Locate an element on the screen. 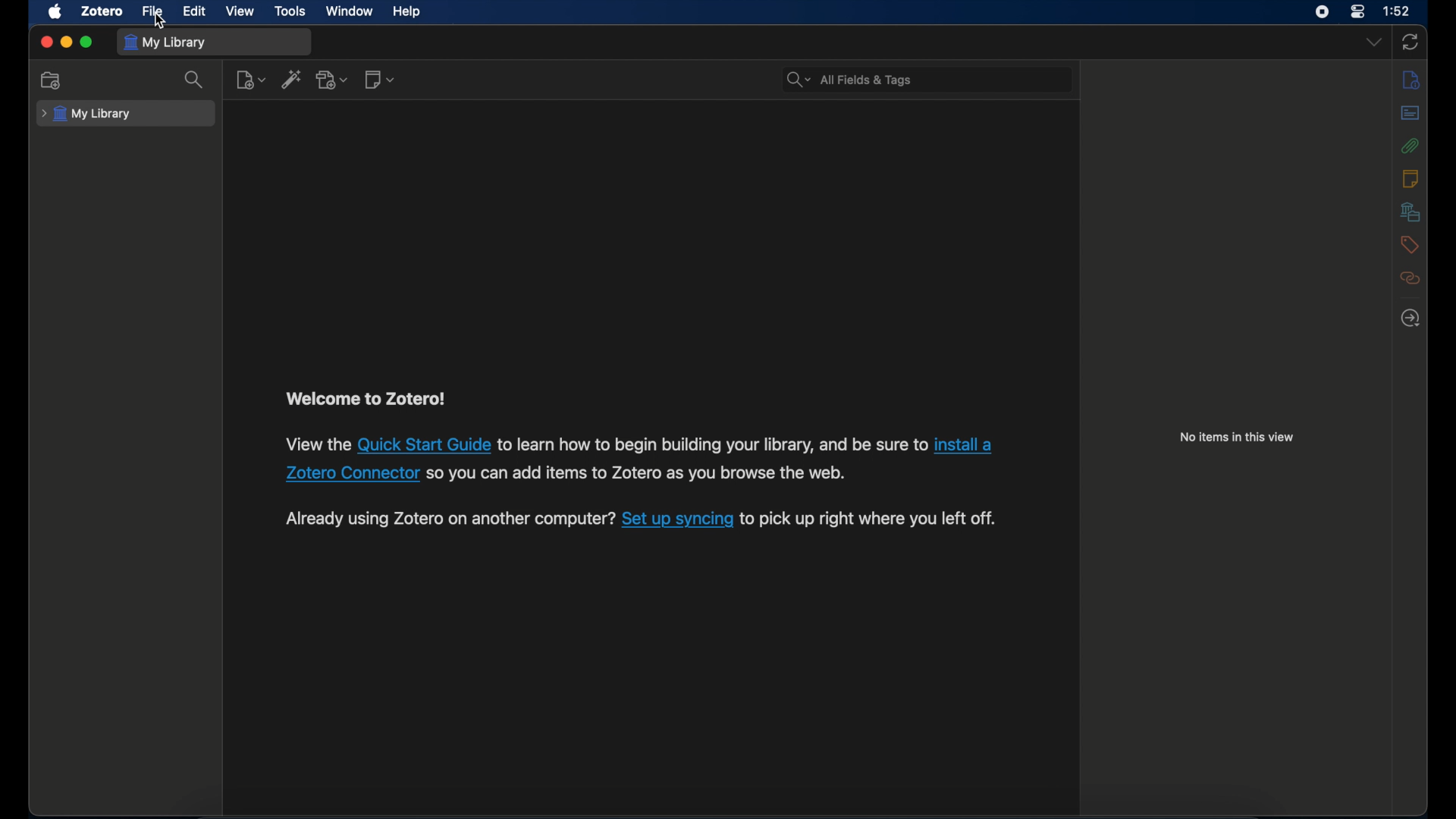 The width and height of the screenshot is (1456, 819). add item by identifier is located at coordinates (293, 79).